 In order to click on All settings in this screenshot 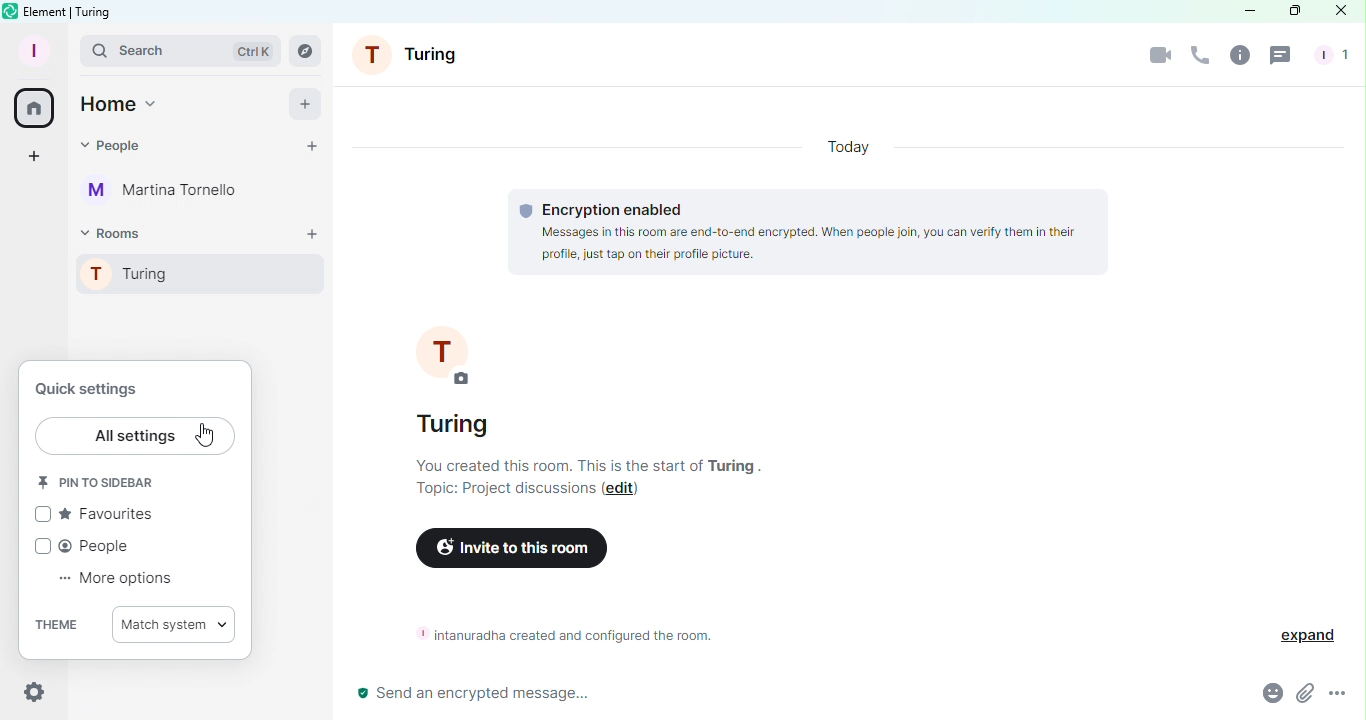, I will do `click(138, 437)`.